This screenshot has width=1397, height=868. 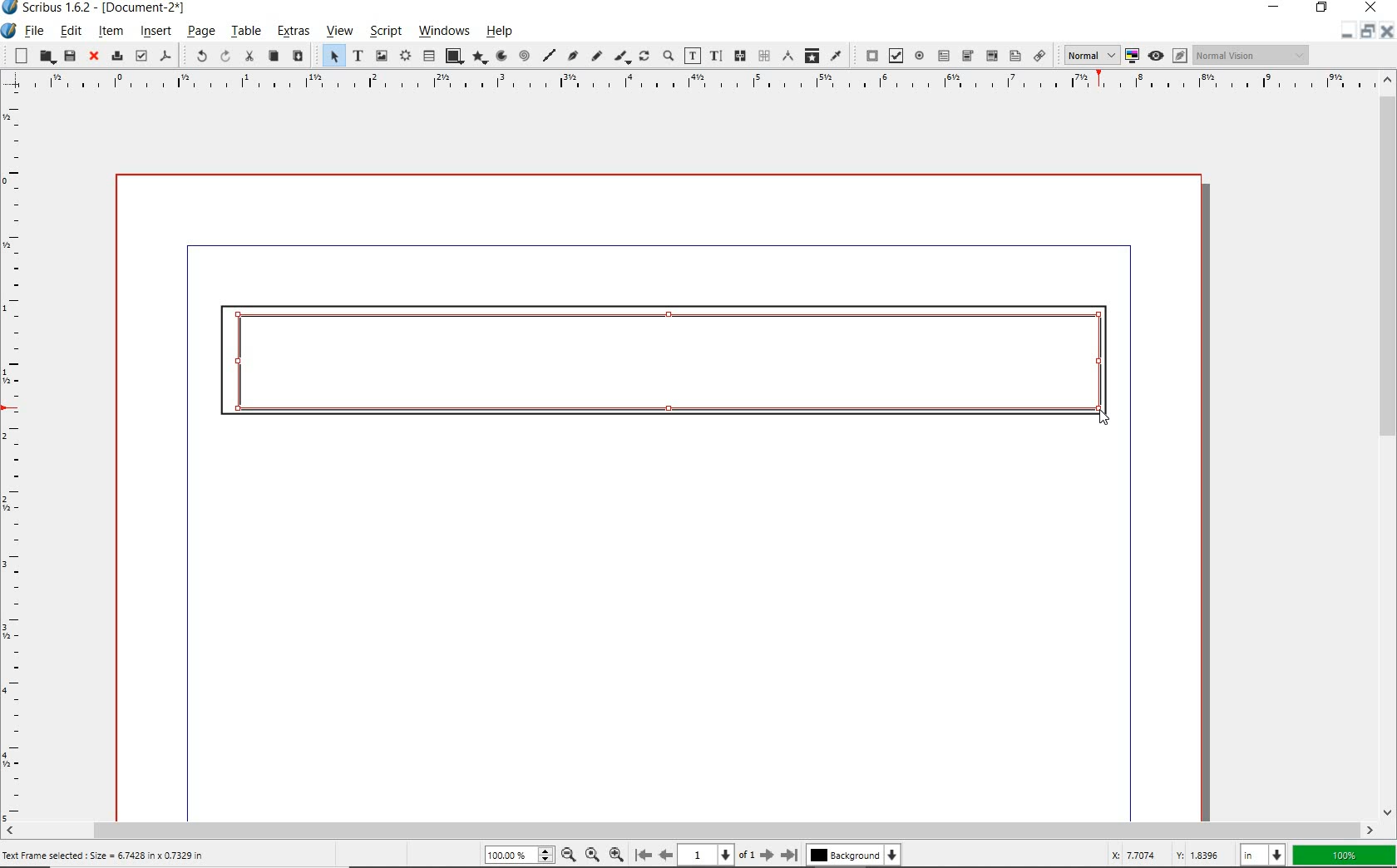 I want to click on zoom factor, so click(x=1344, y=856).